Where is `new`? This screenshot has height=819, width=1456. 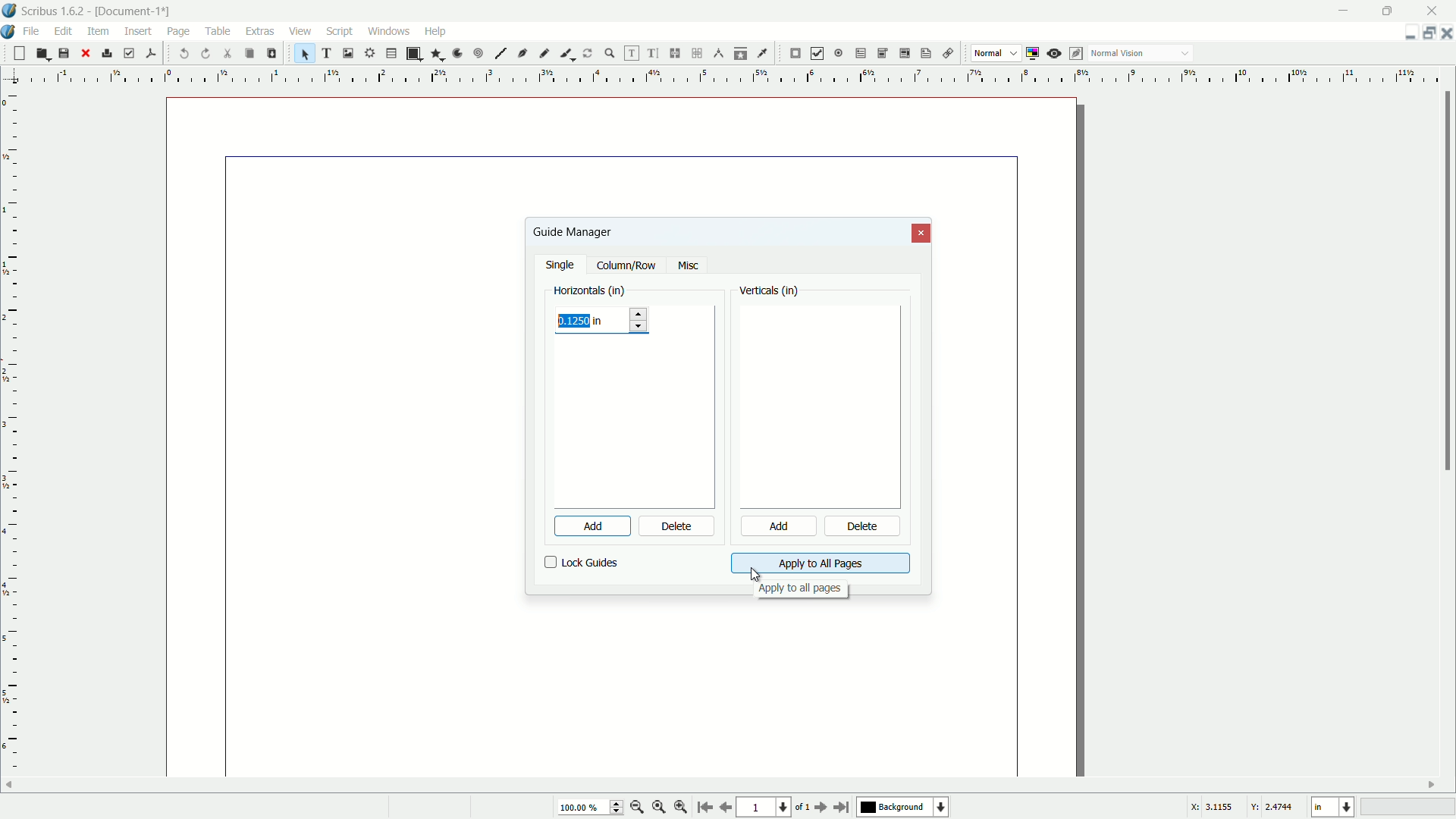 new is located at coordinates (17, 53).